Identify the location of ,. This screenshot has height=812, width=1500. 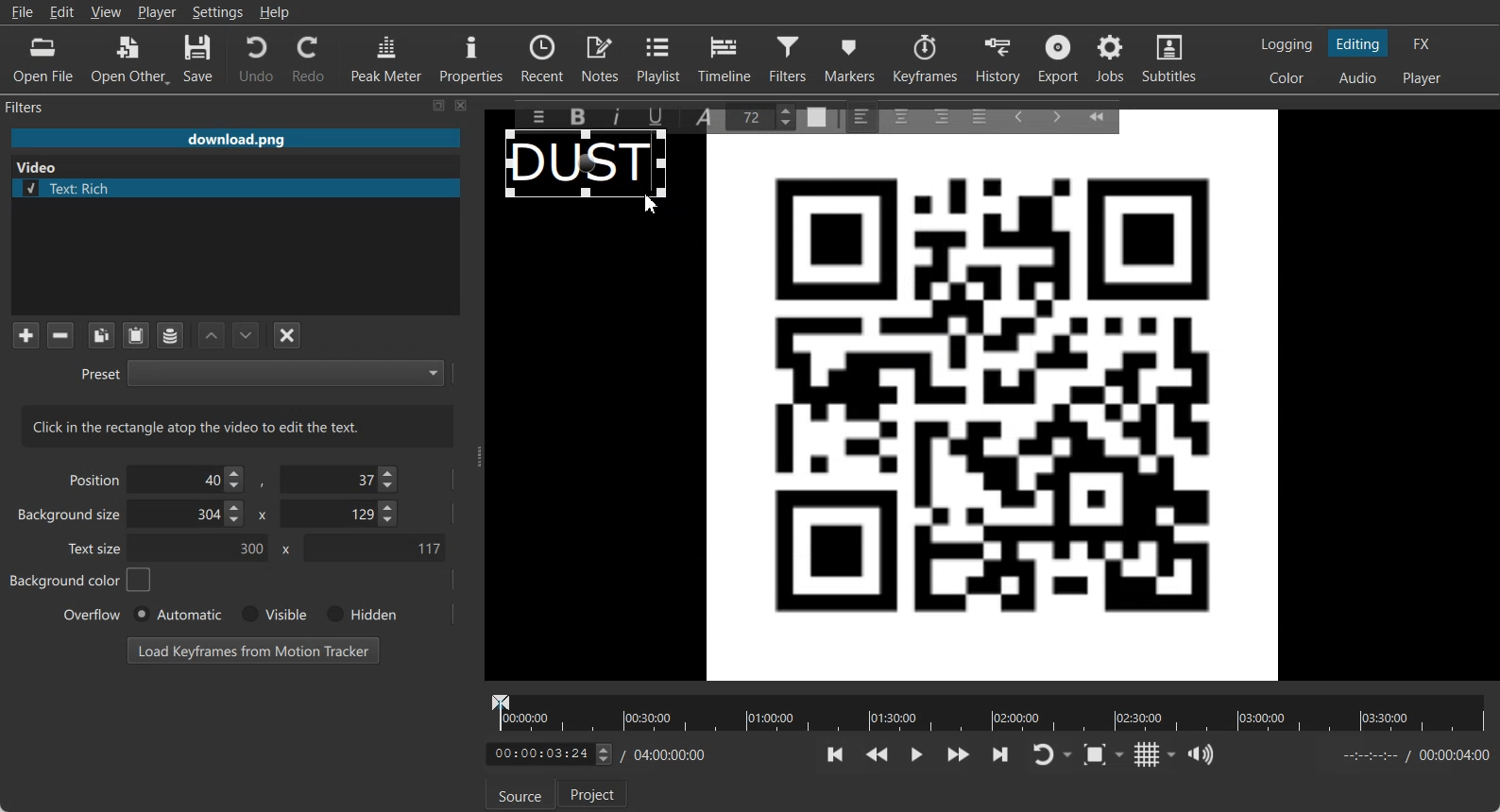
(264, 483).